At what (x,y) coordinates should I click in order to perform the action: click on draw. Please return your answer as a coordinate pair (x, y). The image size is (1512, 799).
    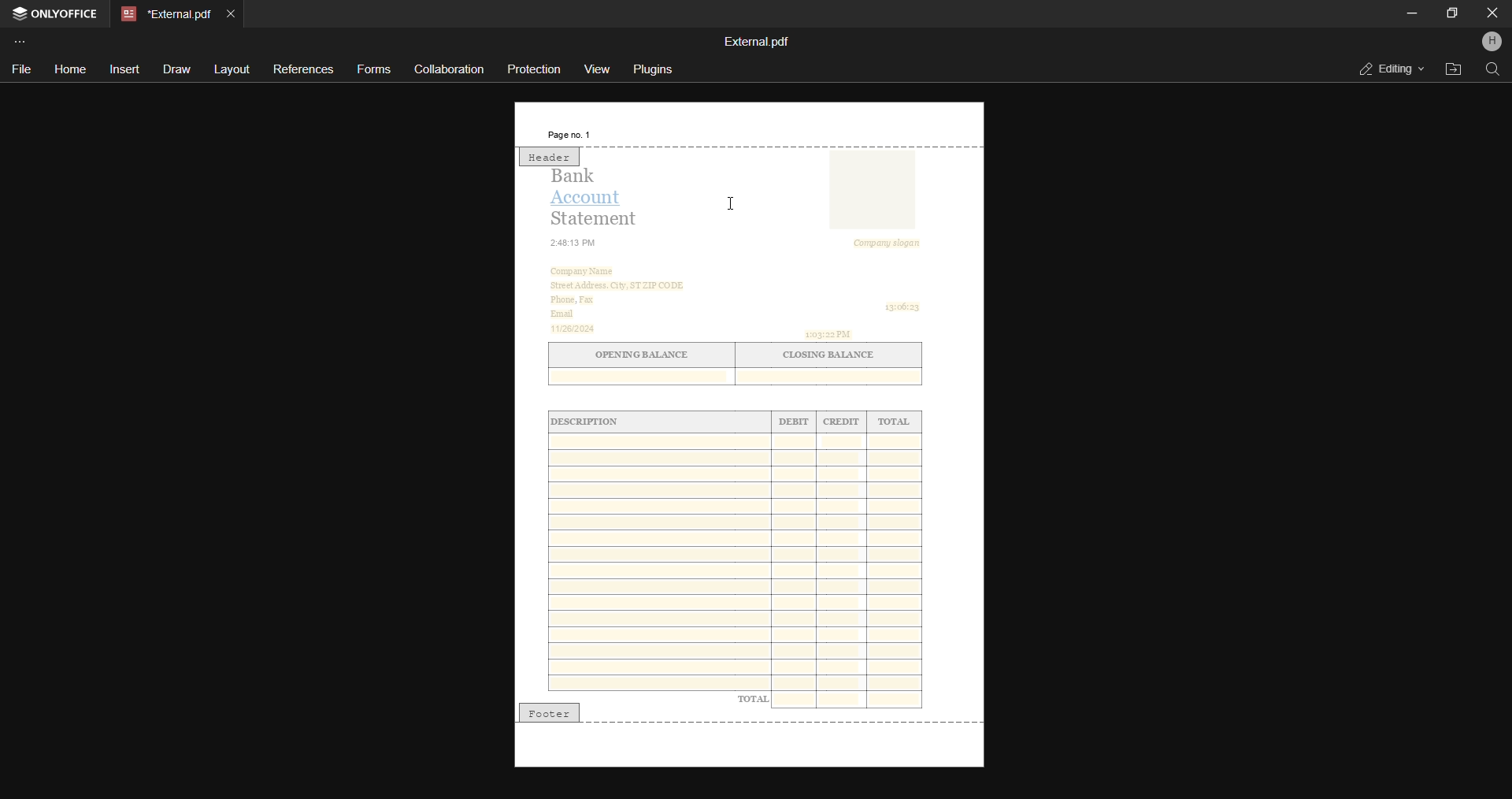
    Looking at the image, I should click on (174, 69).